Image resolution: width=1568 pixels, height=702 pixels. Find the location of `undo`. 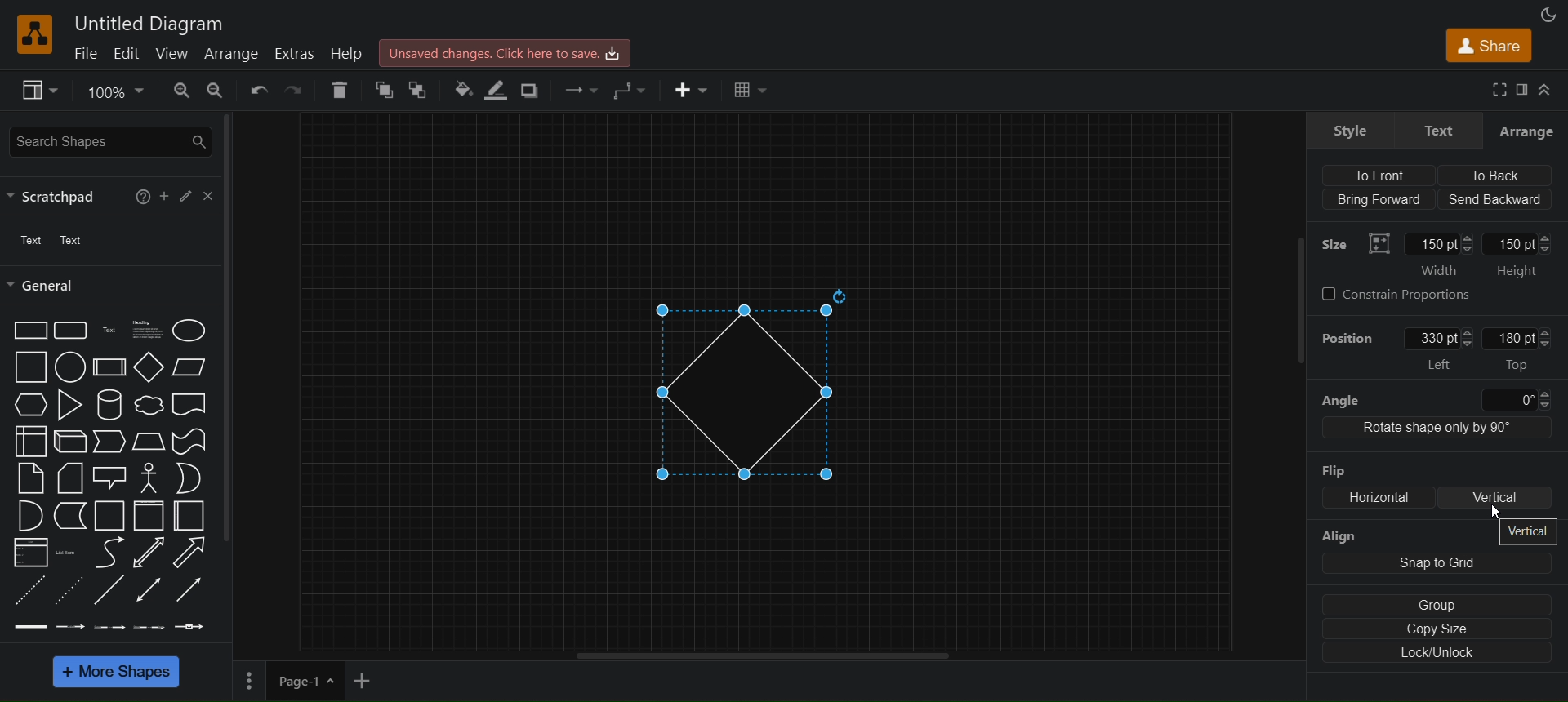

undo is located at coordinates (257, 89).